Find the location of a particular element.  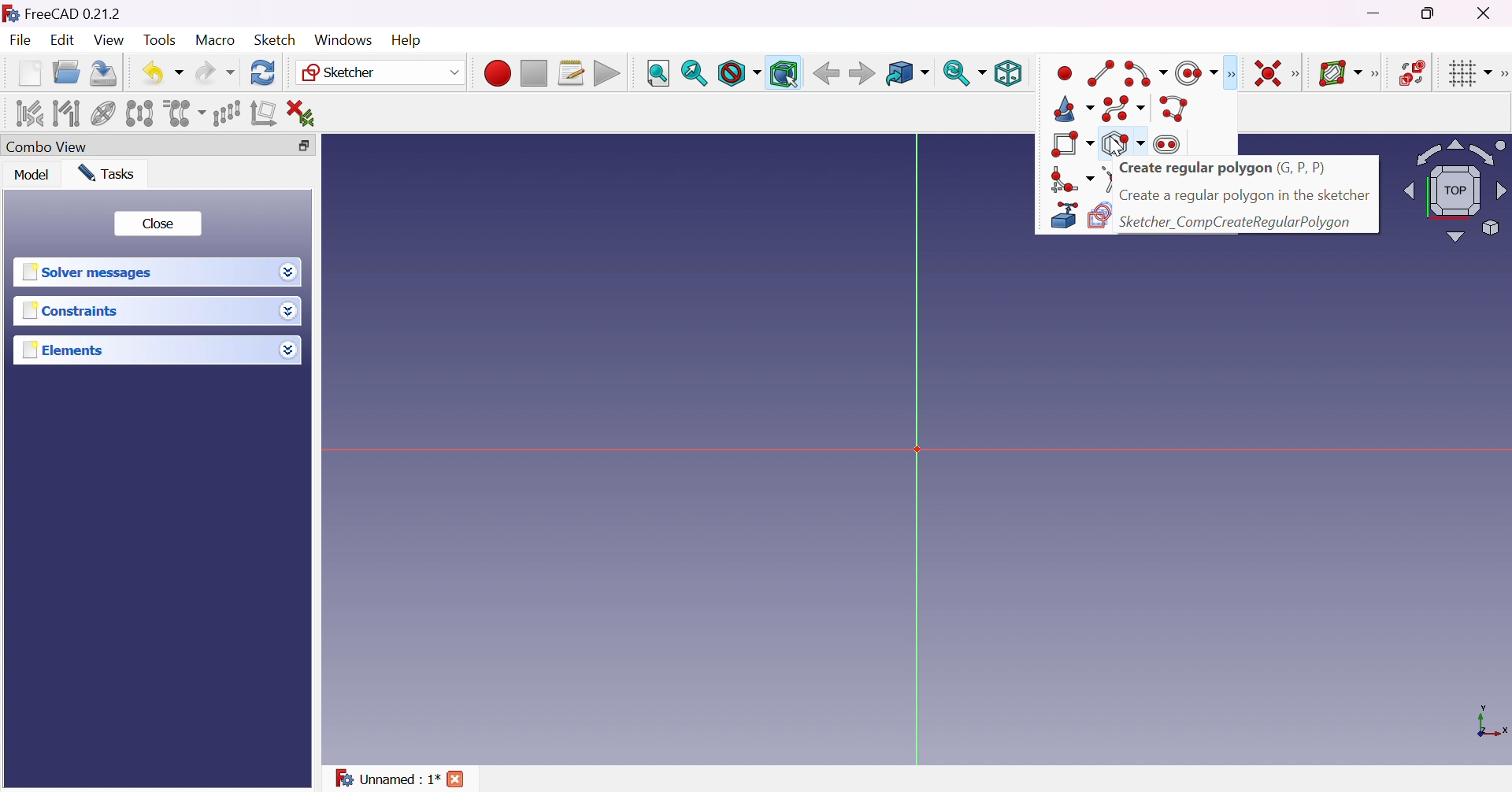

Restore down is located at coordinates (312, 146).